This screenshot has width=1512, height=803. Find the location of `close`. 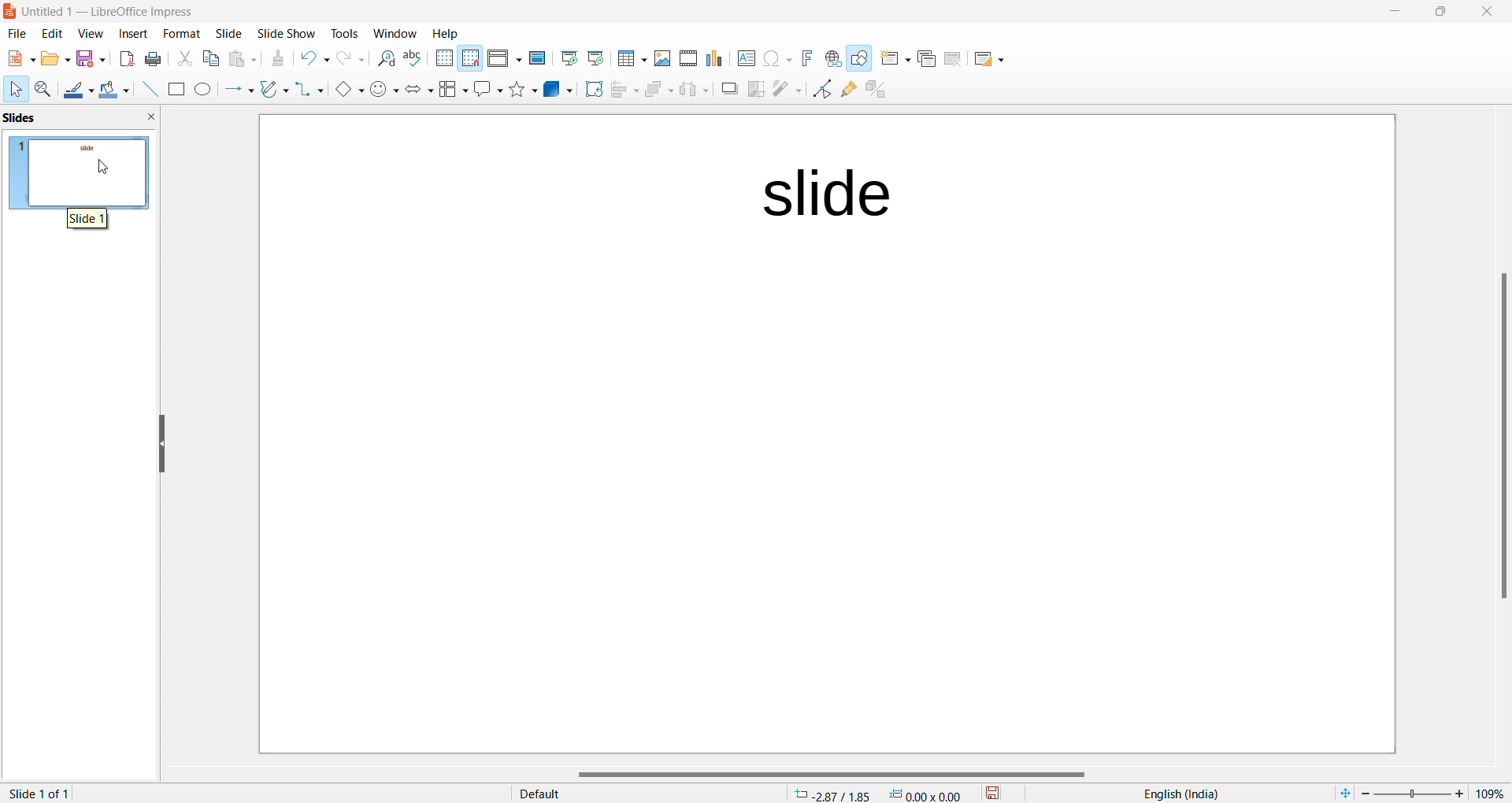

close is located at coordinates (1487, 14).